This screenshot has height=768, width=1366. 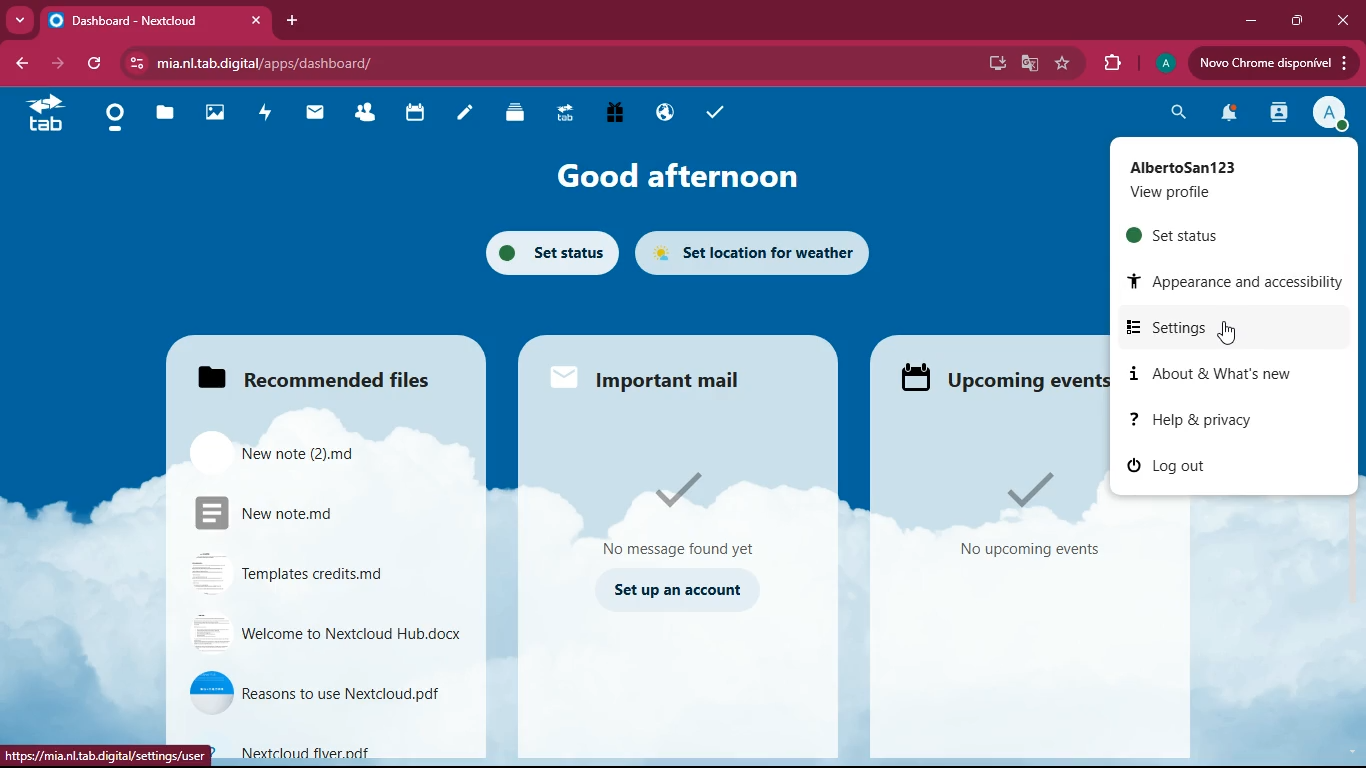 I want to click on log out, so click(x=1169, y=467).